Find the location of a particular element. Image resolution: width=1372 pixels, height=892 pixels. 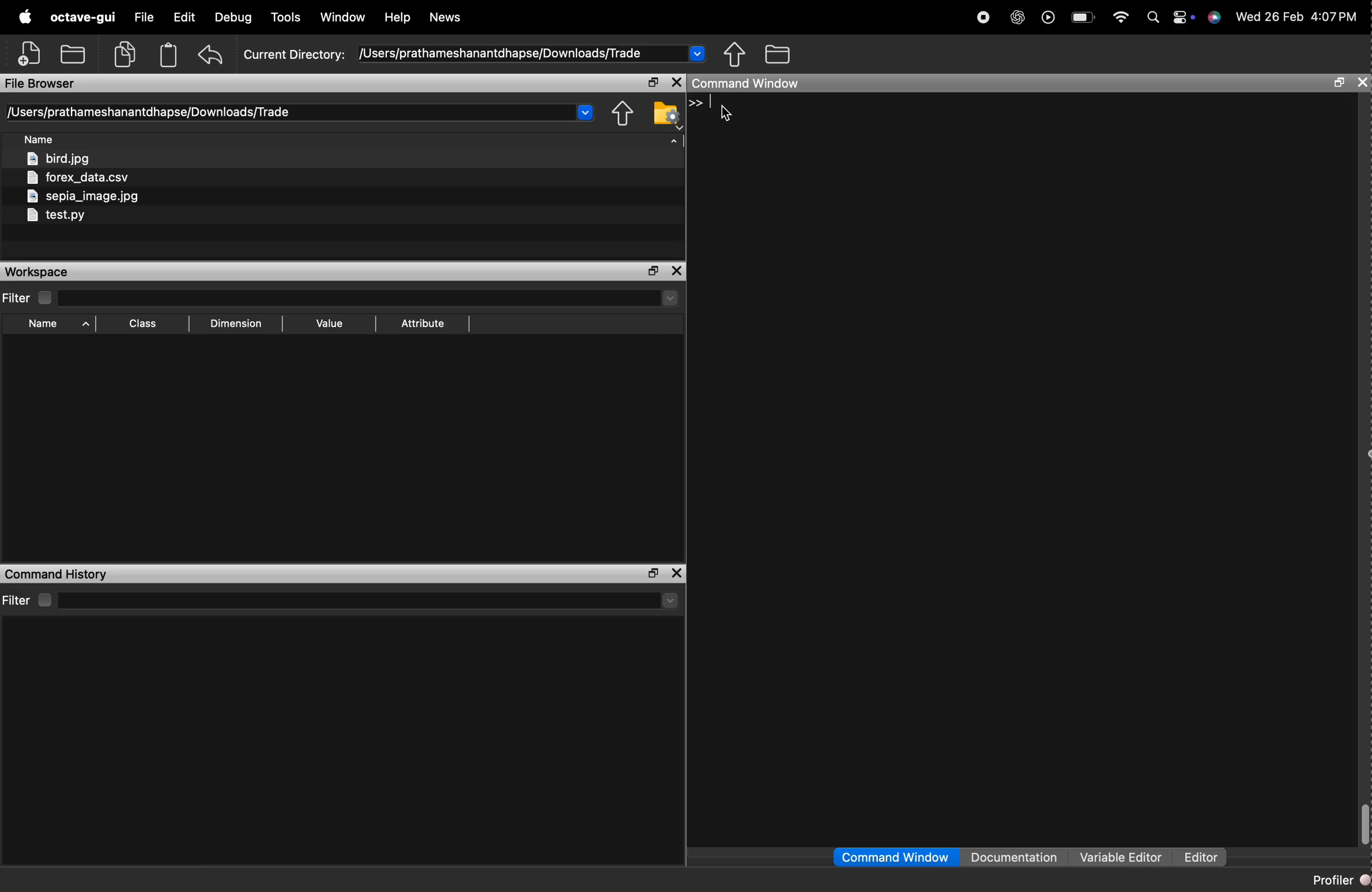

wifi is located at coordinates (1121, 18).